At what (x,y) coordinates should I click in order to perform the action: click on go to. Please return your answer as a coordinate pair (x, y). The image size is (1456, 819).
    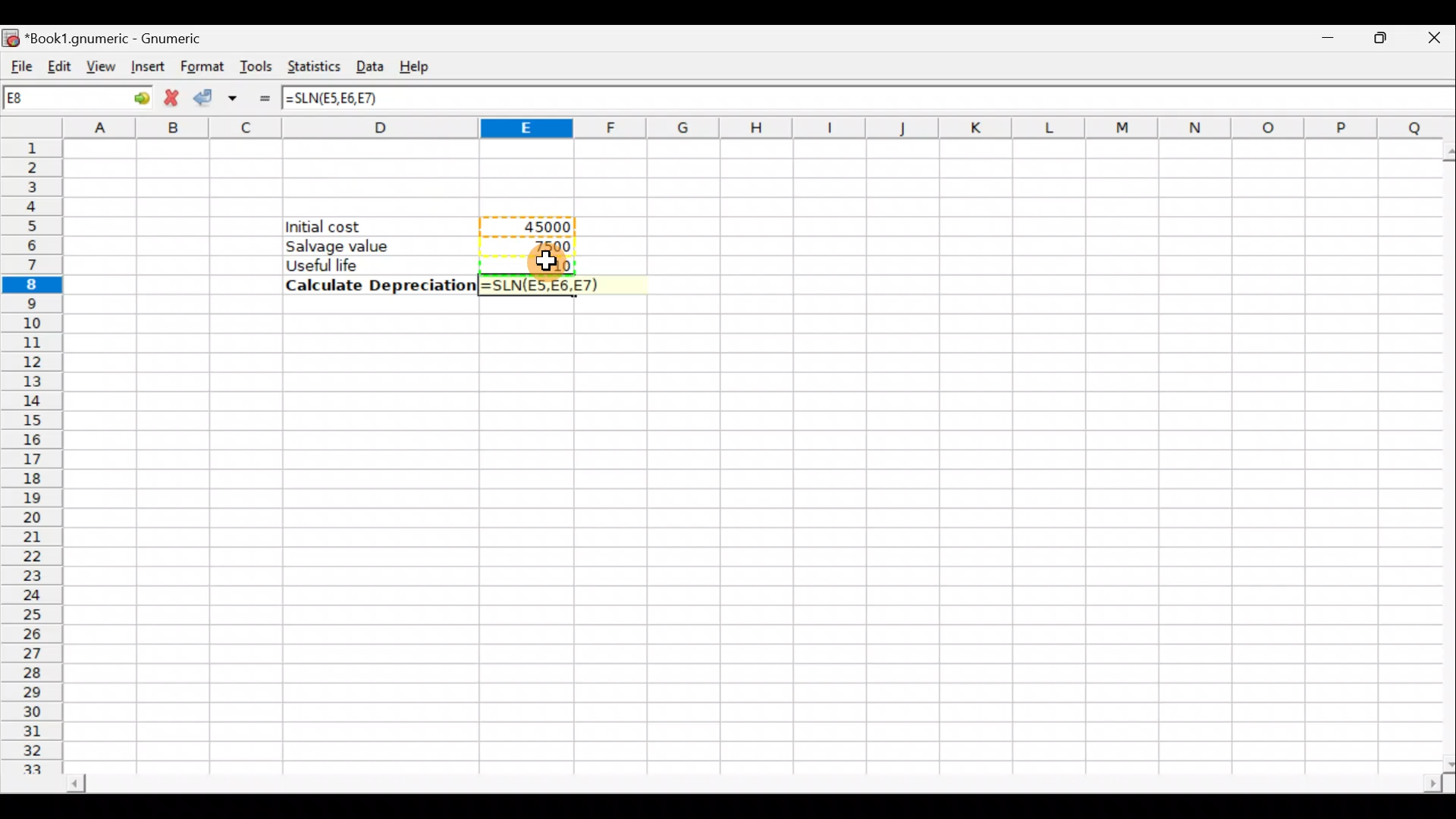
    Looking at the image, I should click on (132, 98).